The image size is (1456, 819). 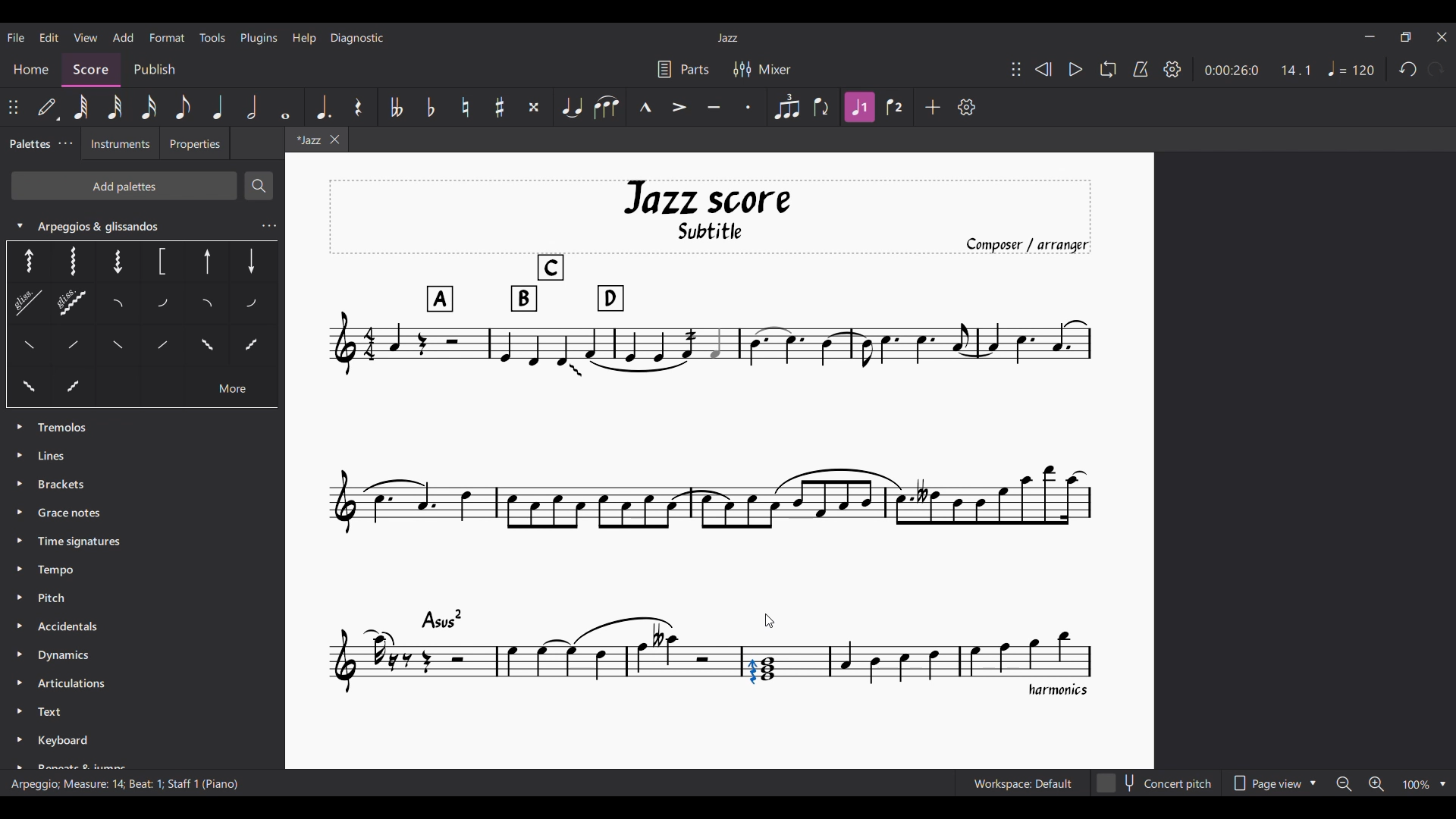 What do you see at coordinates (65, 143) in the screenshot?
I see `Palette settings` at bounding box center [65, 143].